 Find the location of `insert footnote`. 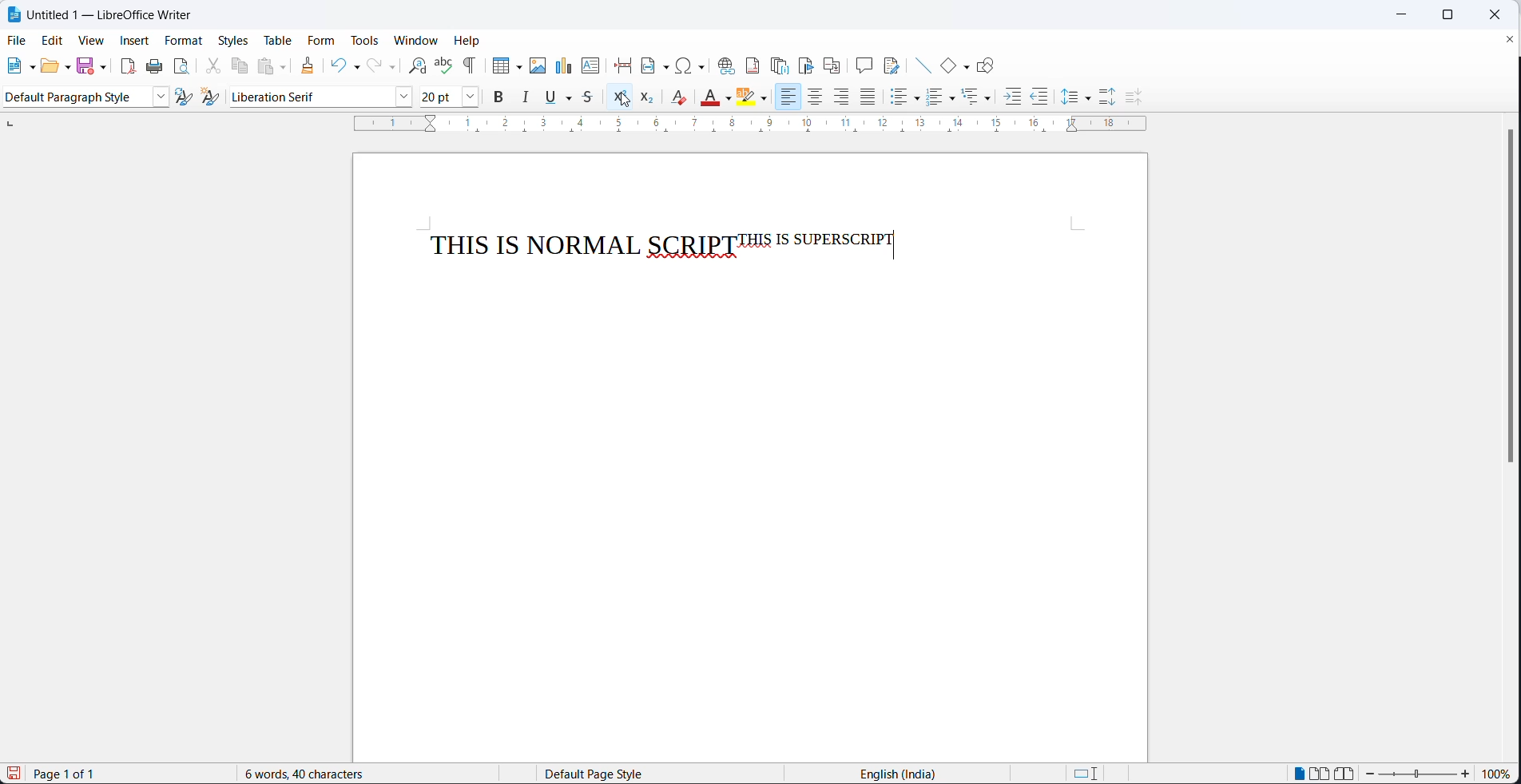

insert footnote is located at coordinates (753, 65).